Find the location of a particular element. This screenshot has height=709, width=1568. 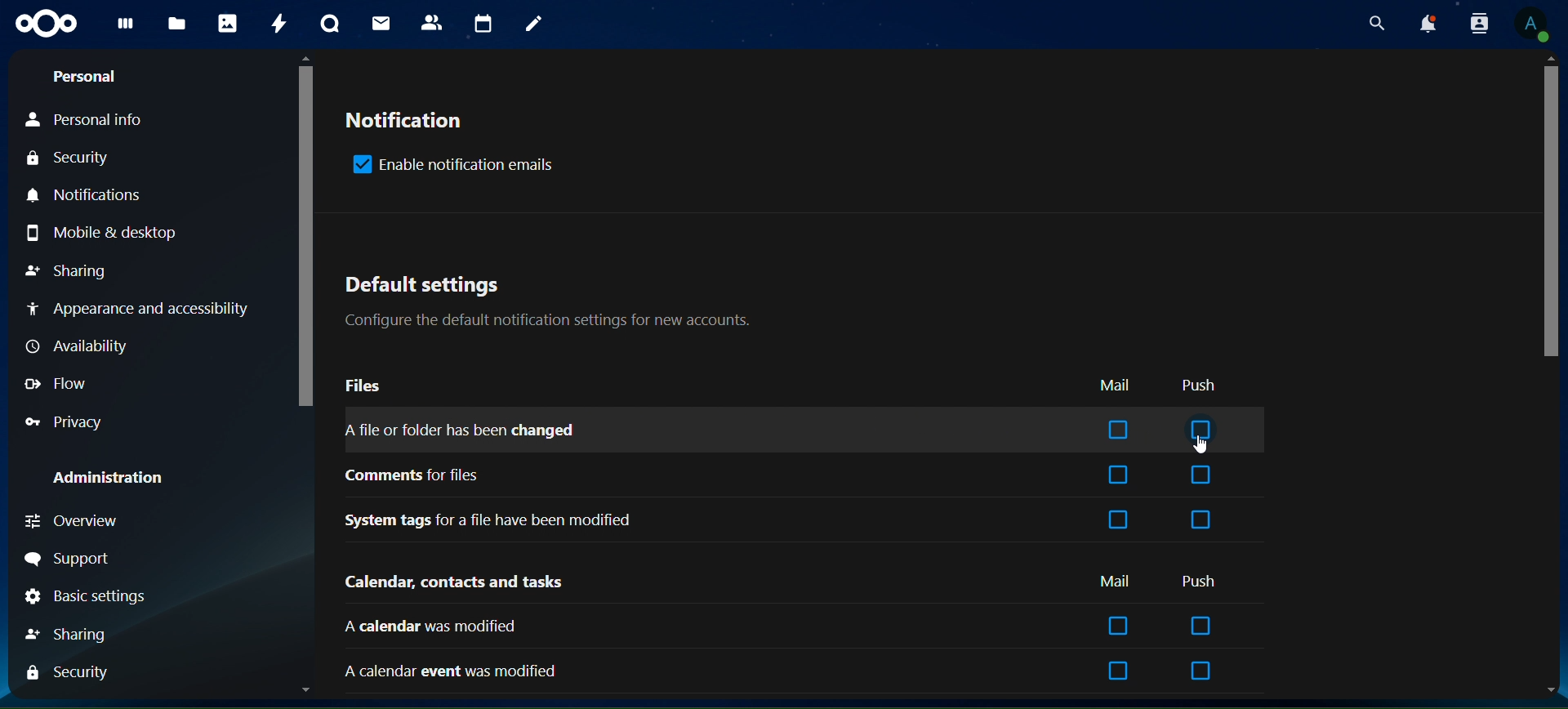

cursor is located at coordinates (1204, 447).